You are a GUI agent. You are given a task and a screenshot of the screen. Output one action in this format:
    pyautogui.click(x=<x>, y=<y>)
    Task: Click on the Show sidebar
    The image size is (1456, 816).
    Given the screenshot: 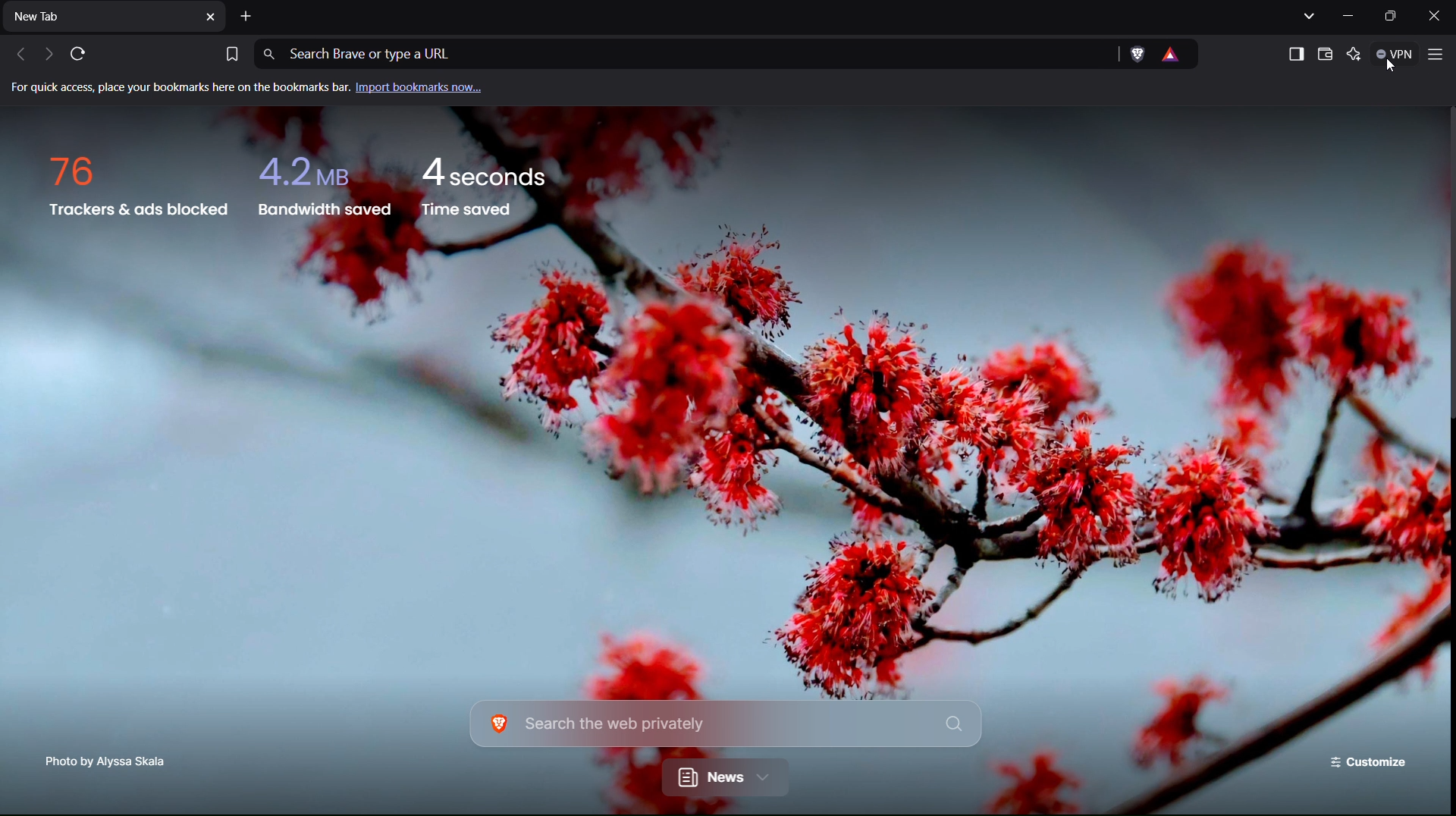 What is the action you would take?
    pyautogui.click(x=1295, y=54)
    